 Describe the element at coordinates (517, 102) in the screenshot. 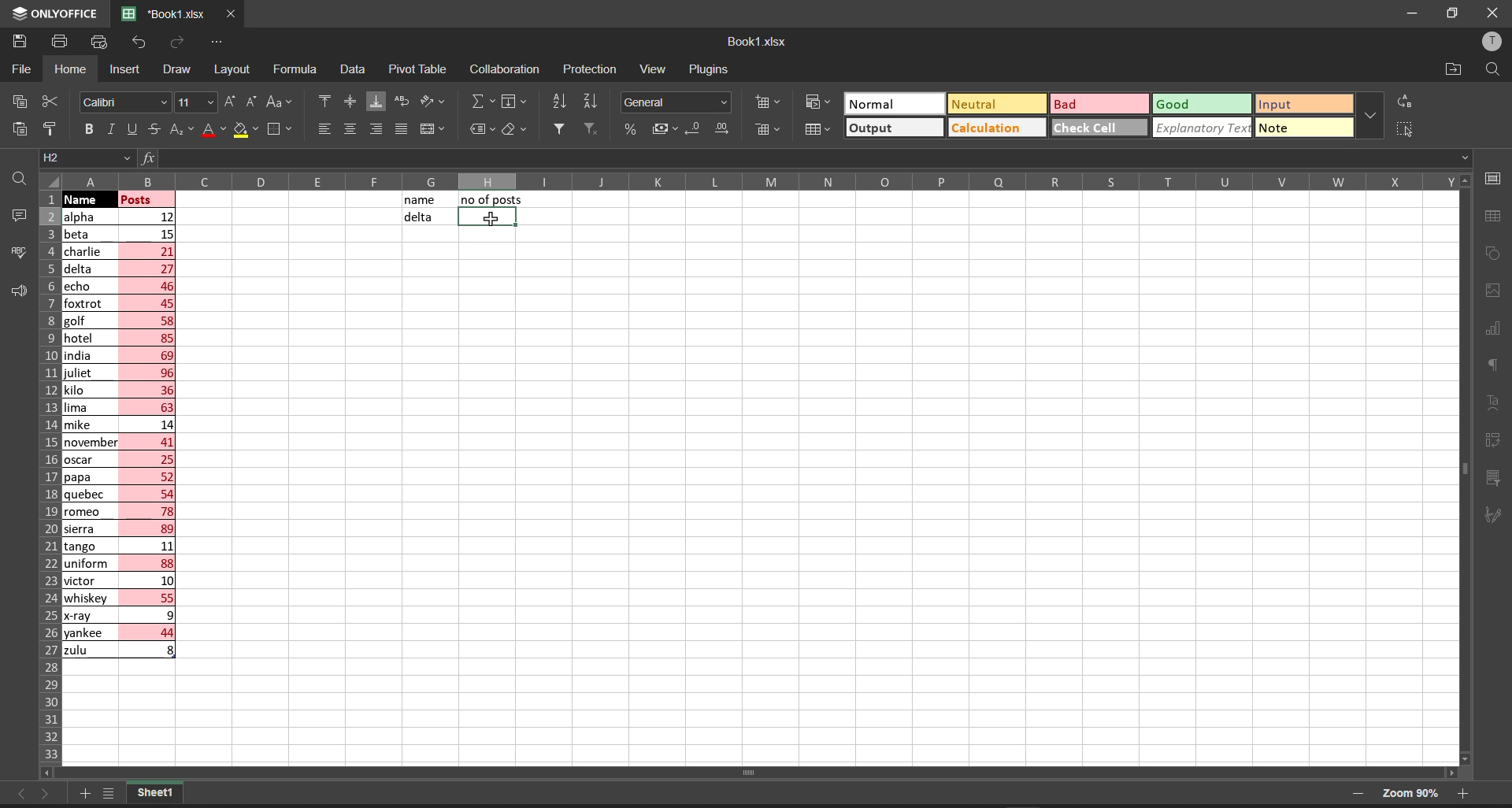

I see `fill` at that location.